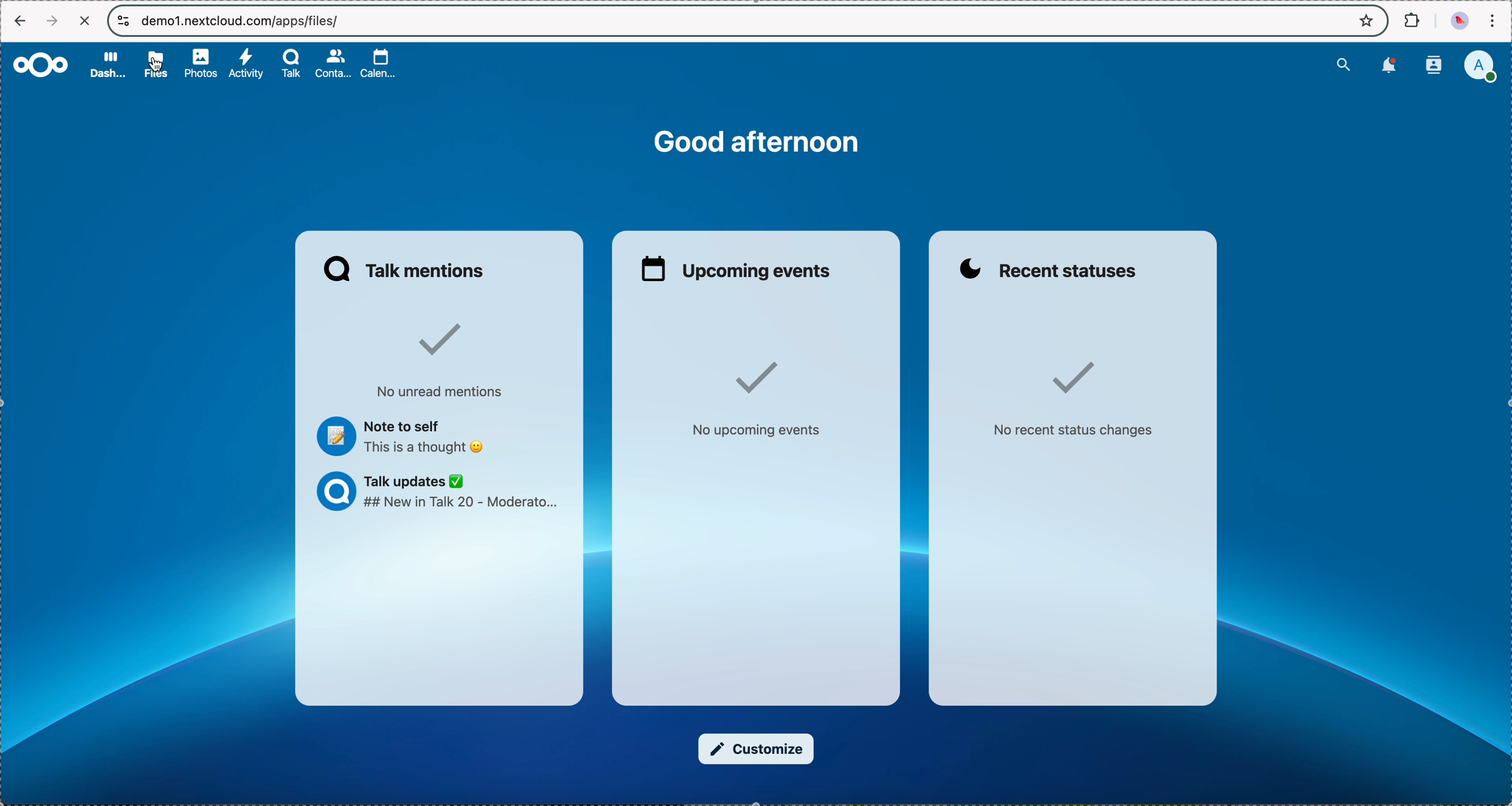 This screenshot has width=1512, height=806. Describe the element at coordinates (245, 62) in the screenshot. I see `activity` at that location.